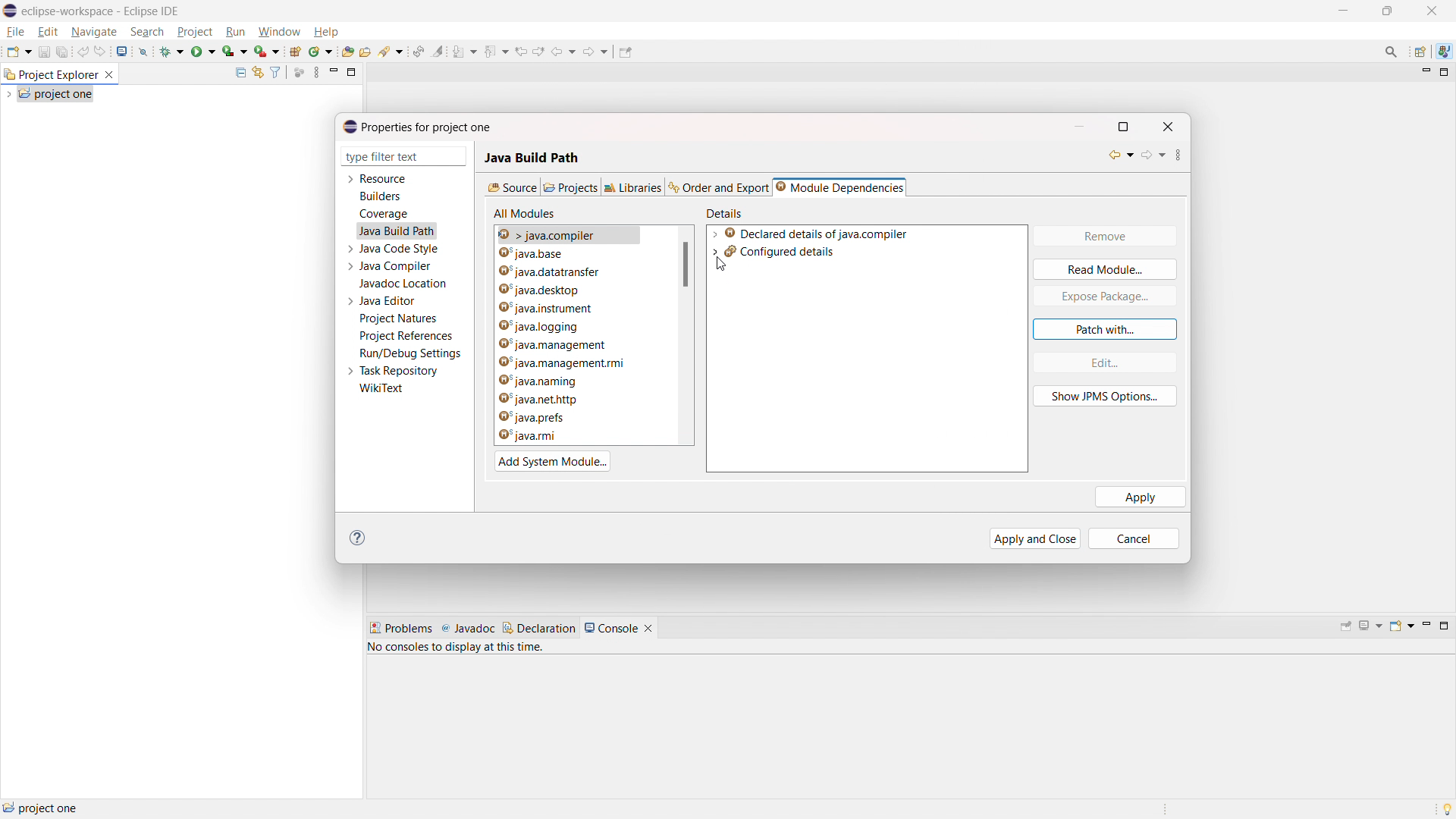 Image resolution: width=1456 pixels, height=819 pixels. Describe the element at coordinates (1105, 297) in the screenshot. I see `expose package` at that location.